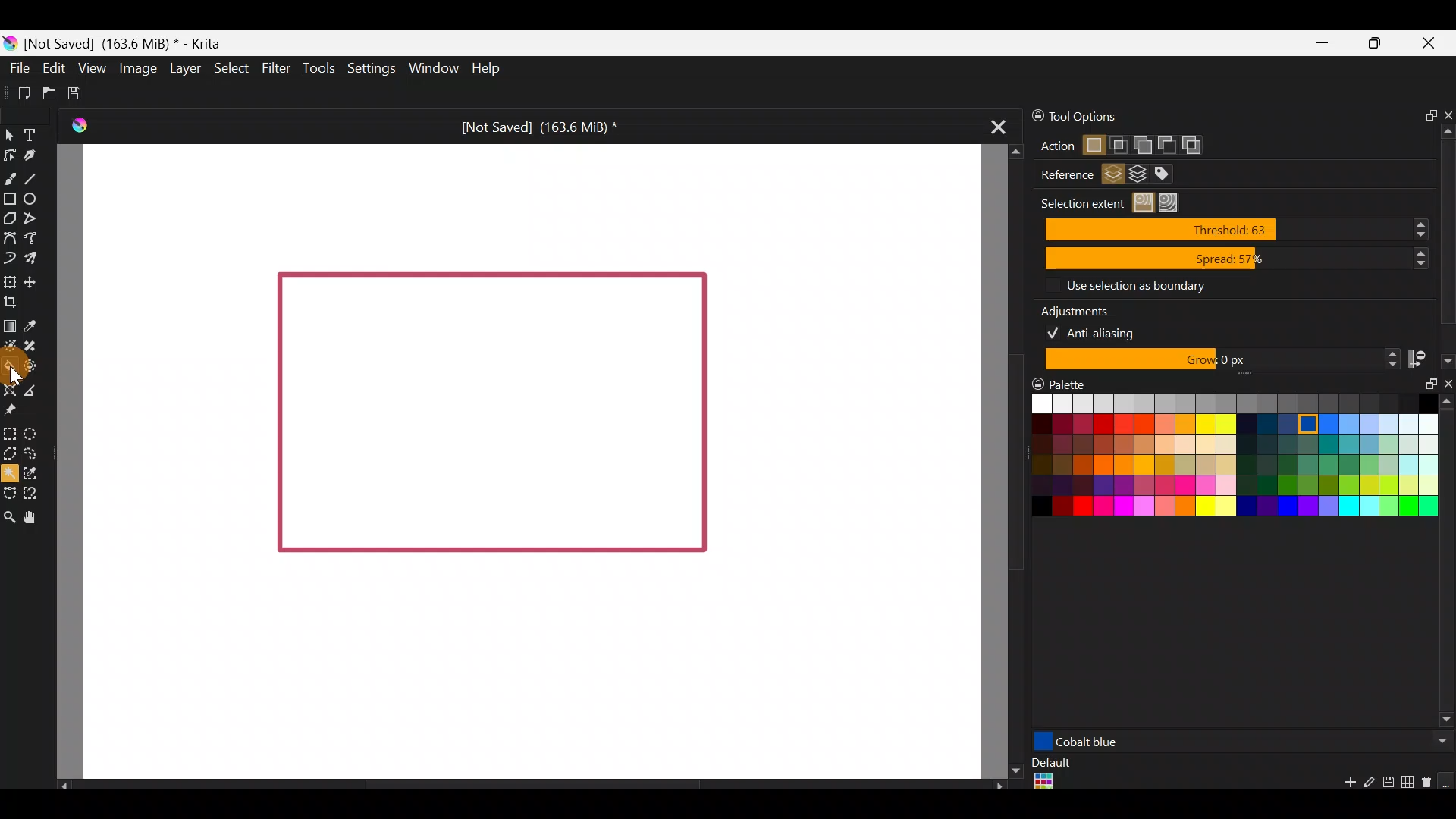 This screenshot has width=1456, height=819. What do you see at coordinates (1410, 784) in the screenshot?
I see `Edit current palette` at bounding box center [1410, 784].